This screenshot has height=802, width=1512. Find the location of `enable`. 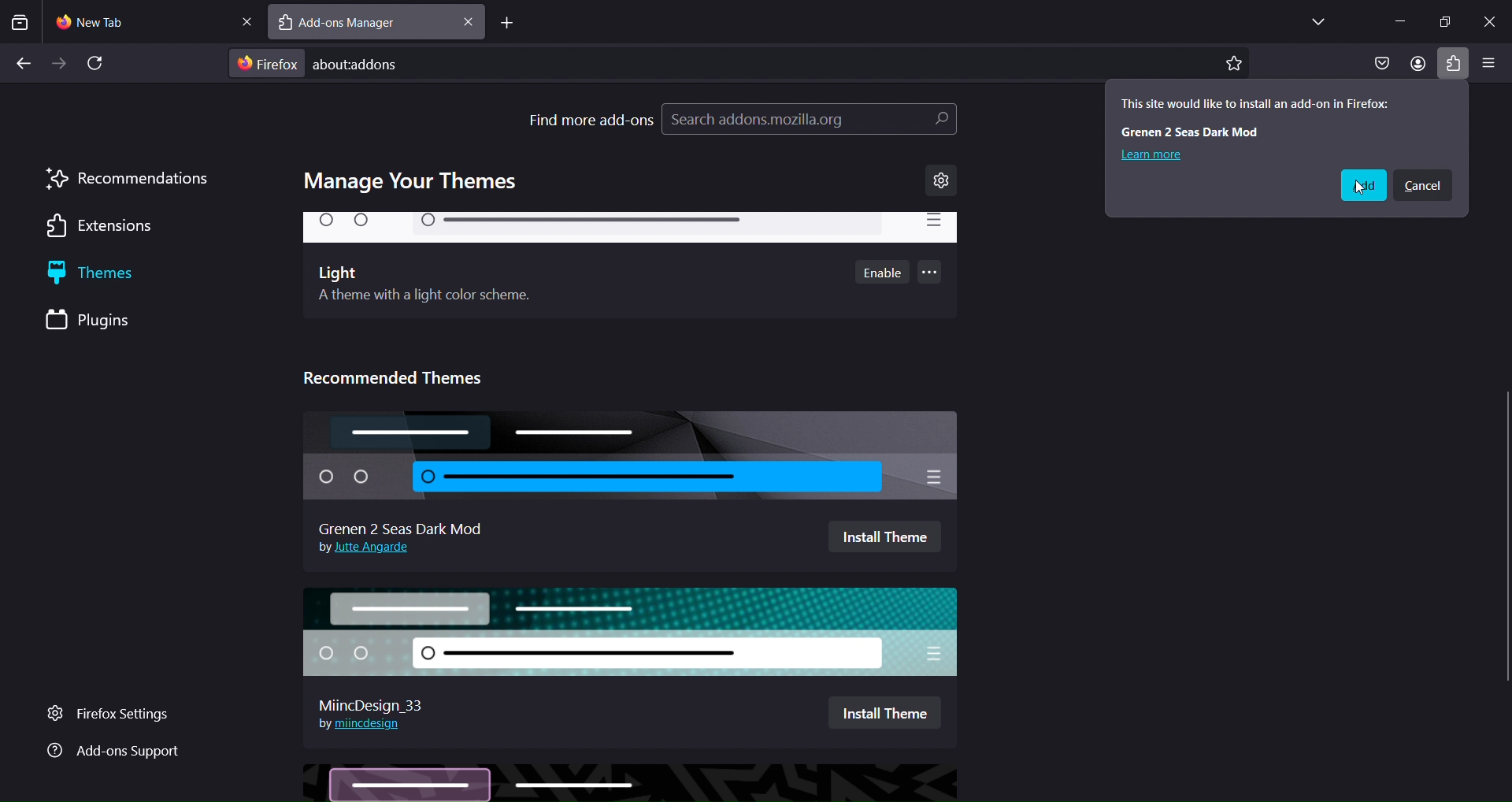

enable is located at coordinates (884, 272).